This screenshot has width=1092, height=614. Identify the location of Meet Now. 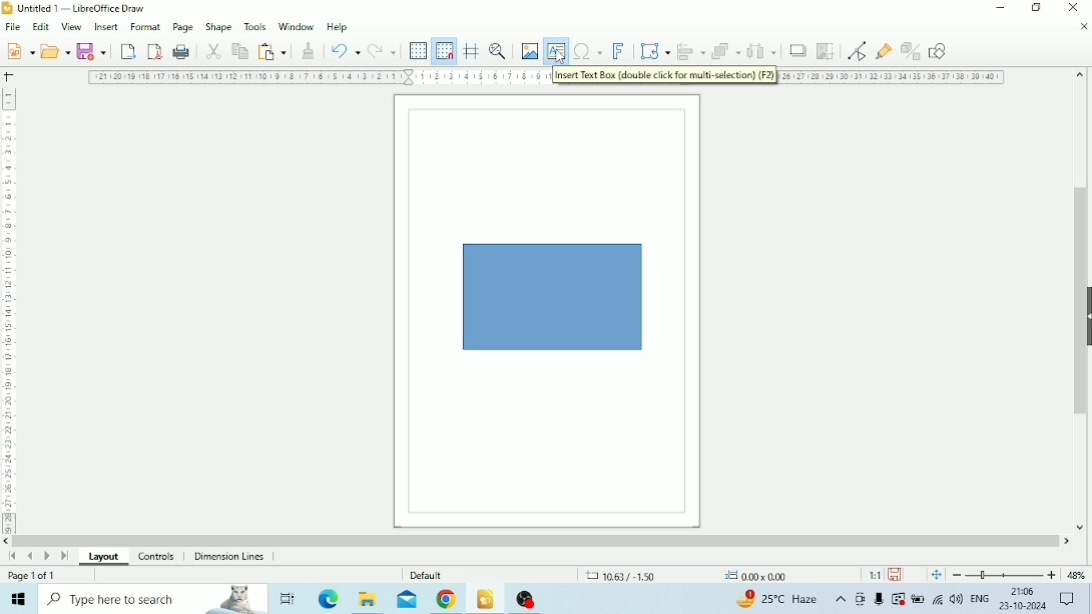
(860, 599).